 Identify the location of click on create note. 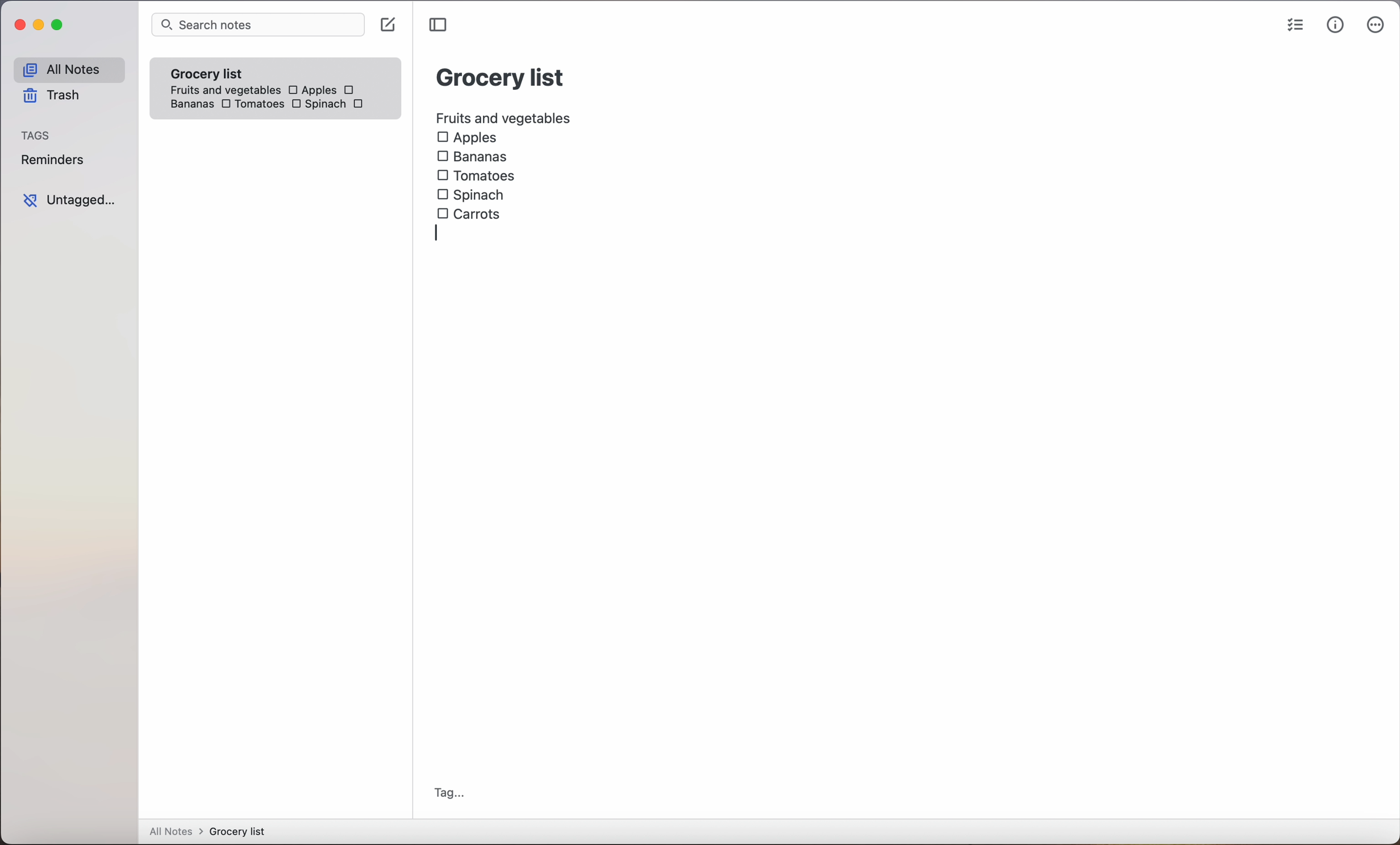
(390, 26).